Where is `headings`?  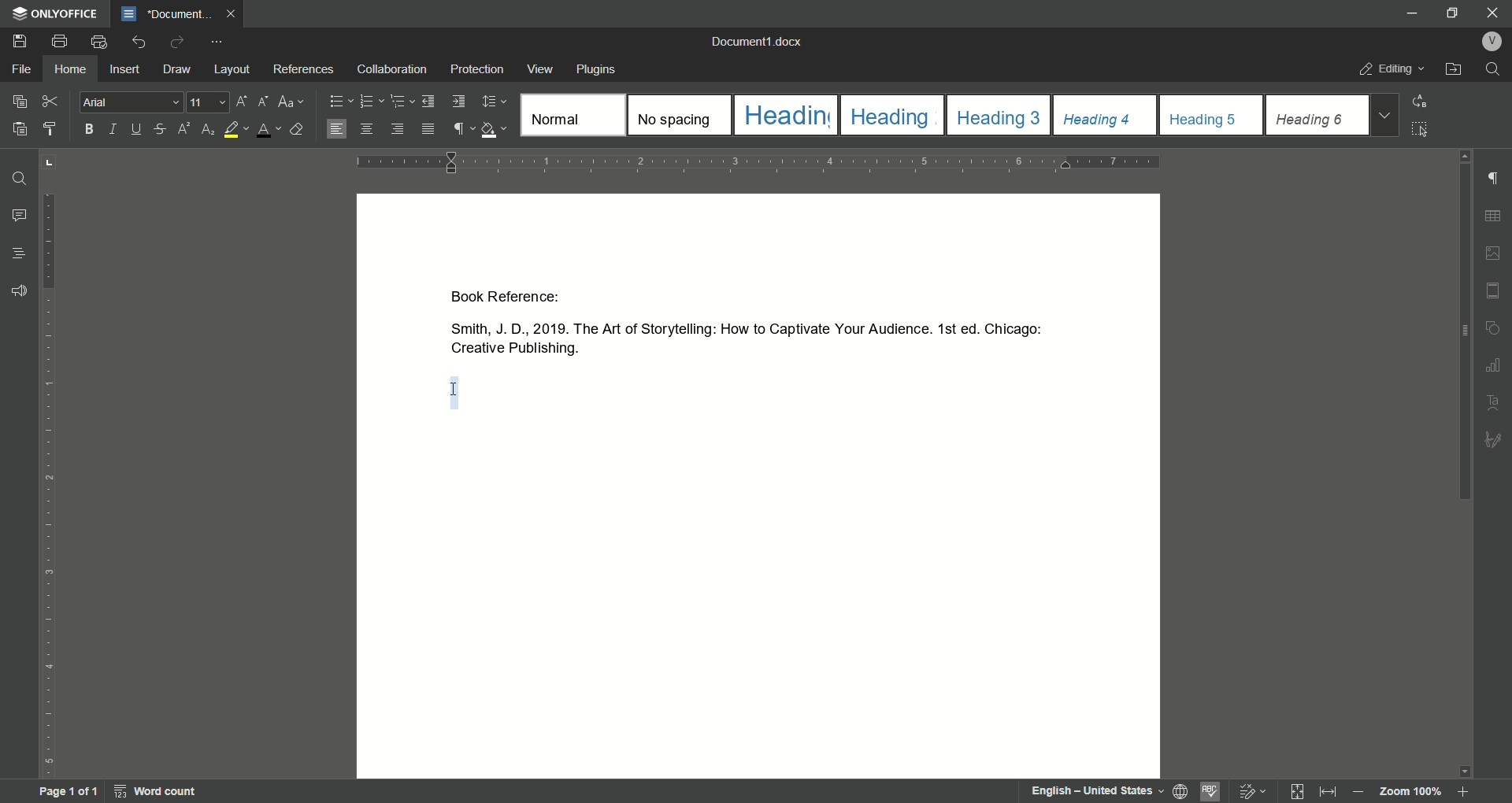 headings is located at coordinates (571, 116).